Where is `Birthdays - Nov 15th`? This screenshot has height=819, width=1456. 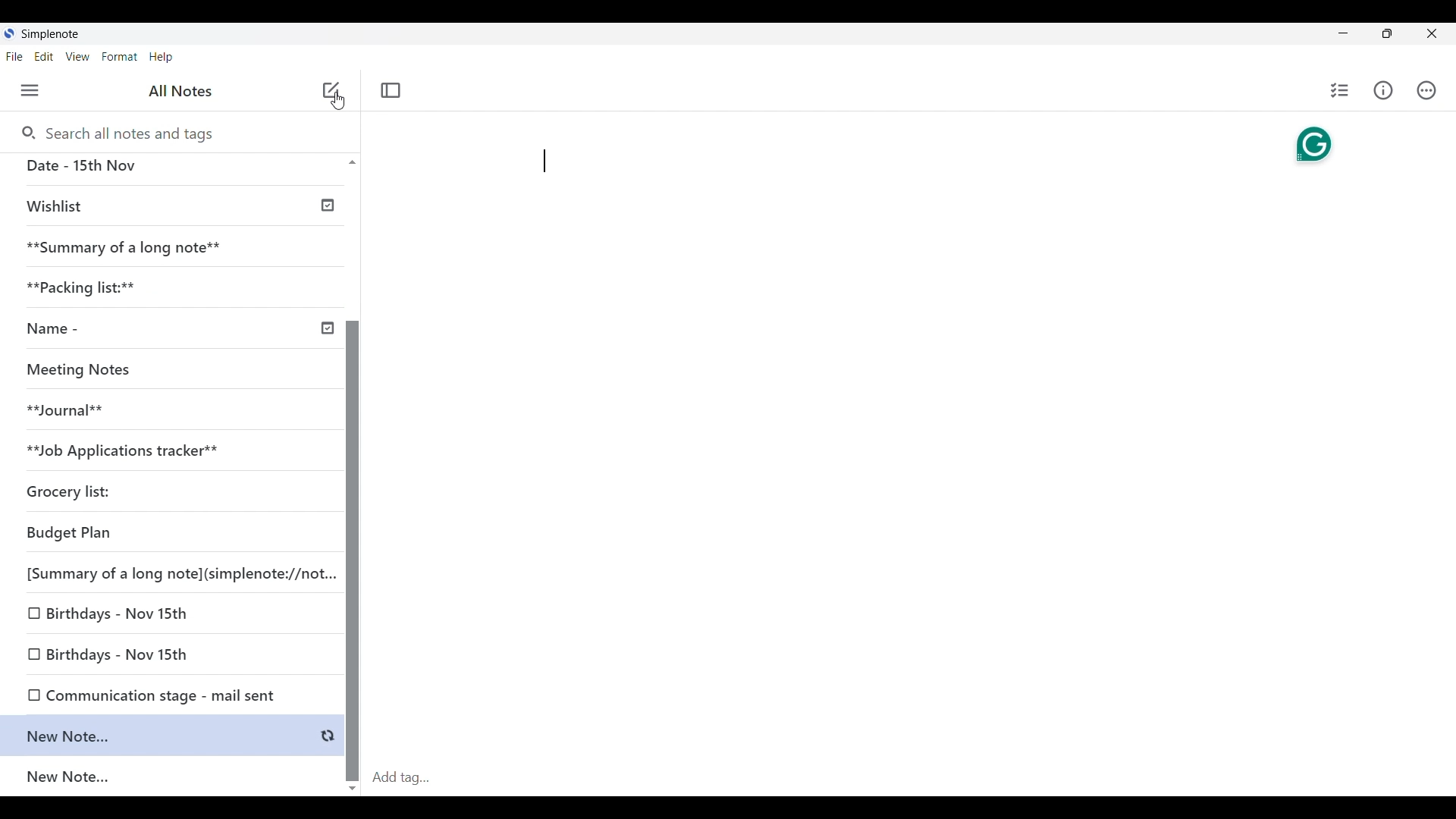
Birthdays - Nov 15th is located at coordinates (169, 651).